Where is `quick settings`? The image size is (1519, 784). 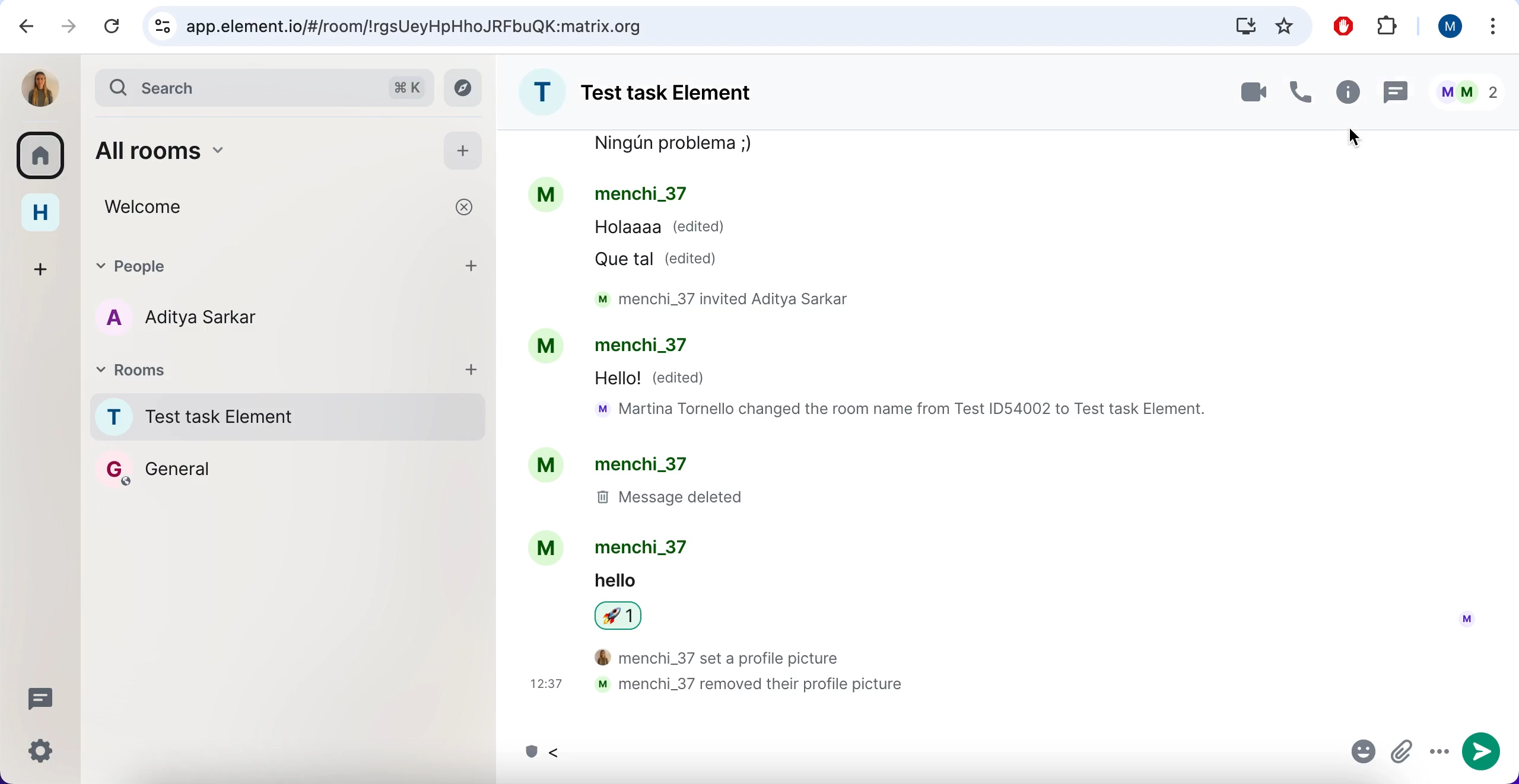
quick settings is located at coordinates (42, 751).